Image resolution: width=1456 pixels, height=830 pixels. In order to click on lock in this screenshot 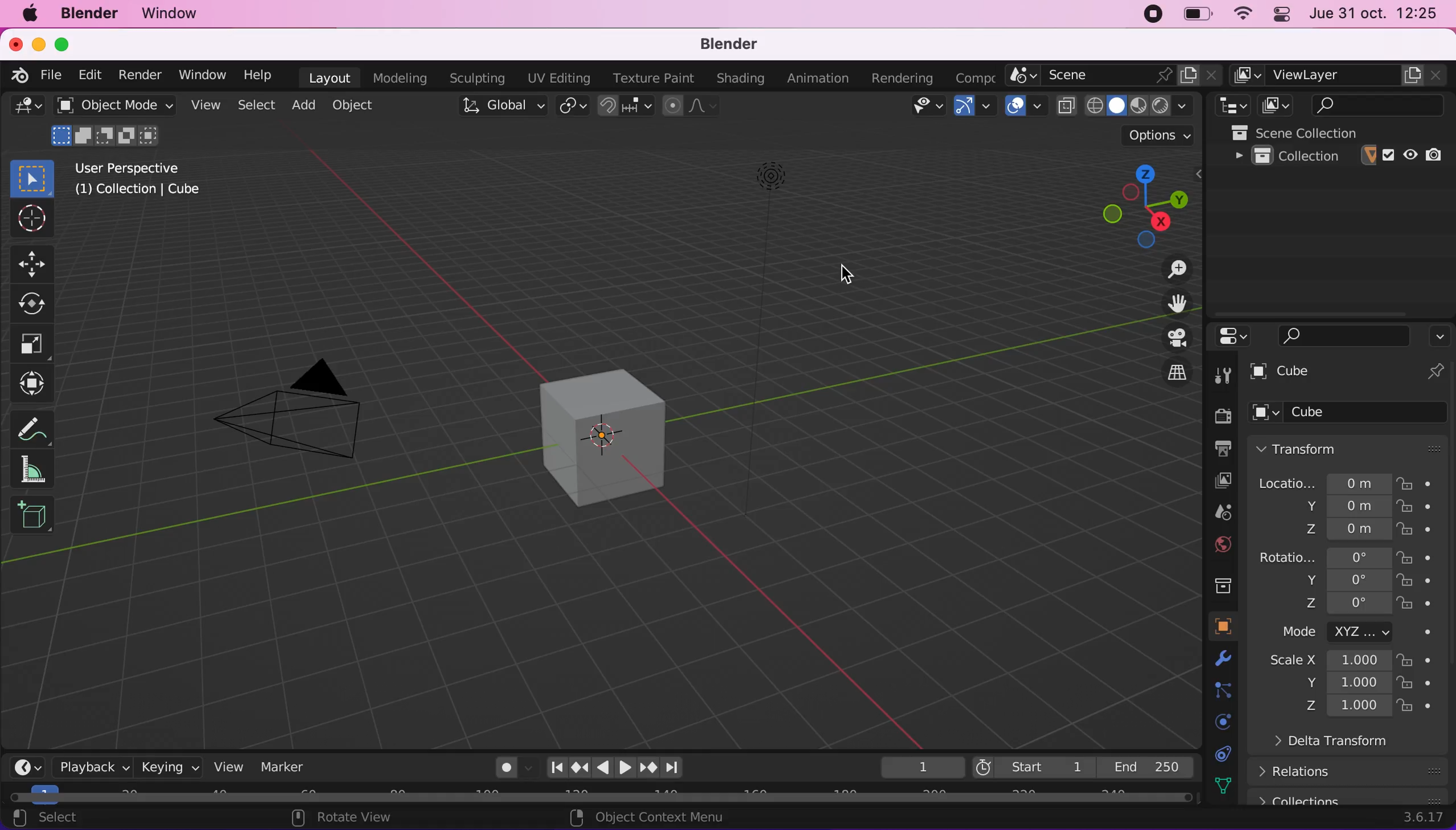, I will do `click(1421, 482)`.